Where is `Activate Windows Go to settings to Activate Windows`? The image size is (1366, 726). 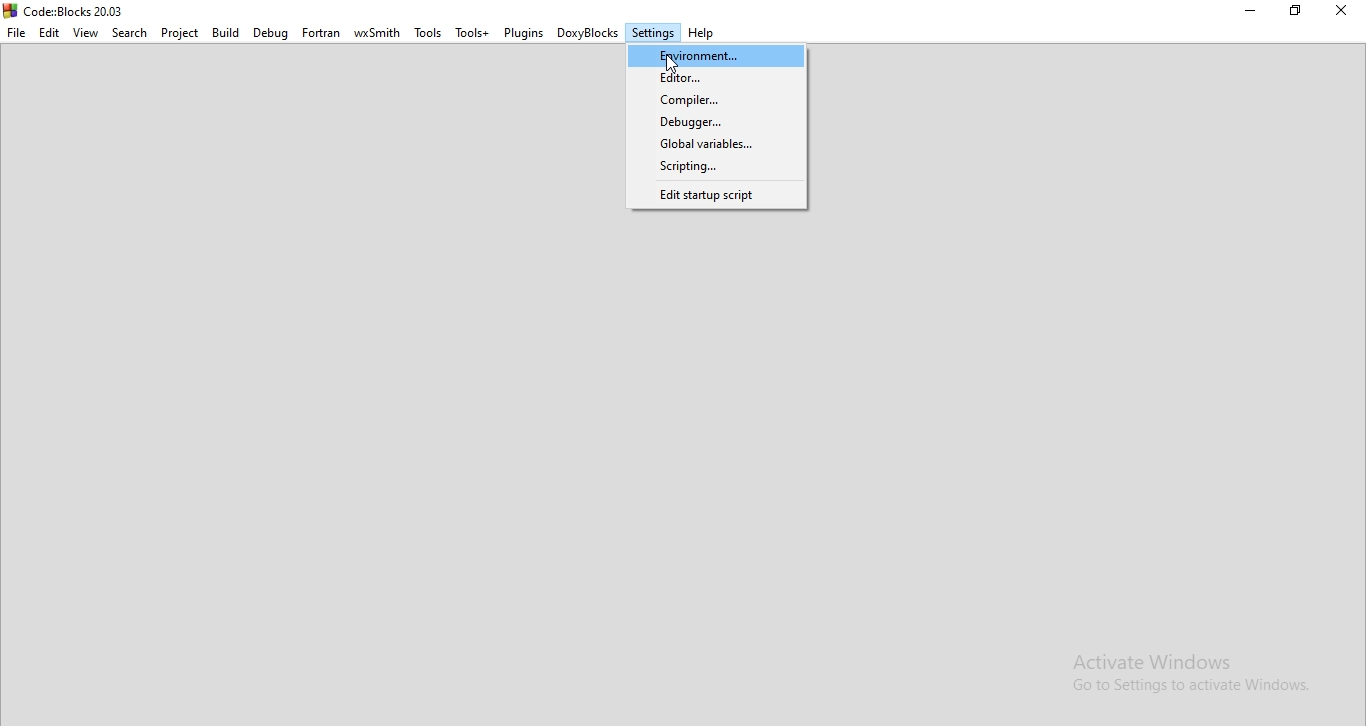
Activate Windows Go to settings to Activate Windows is located at coordinates (1198, 677).